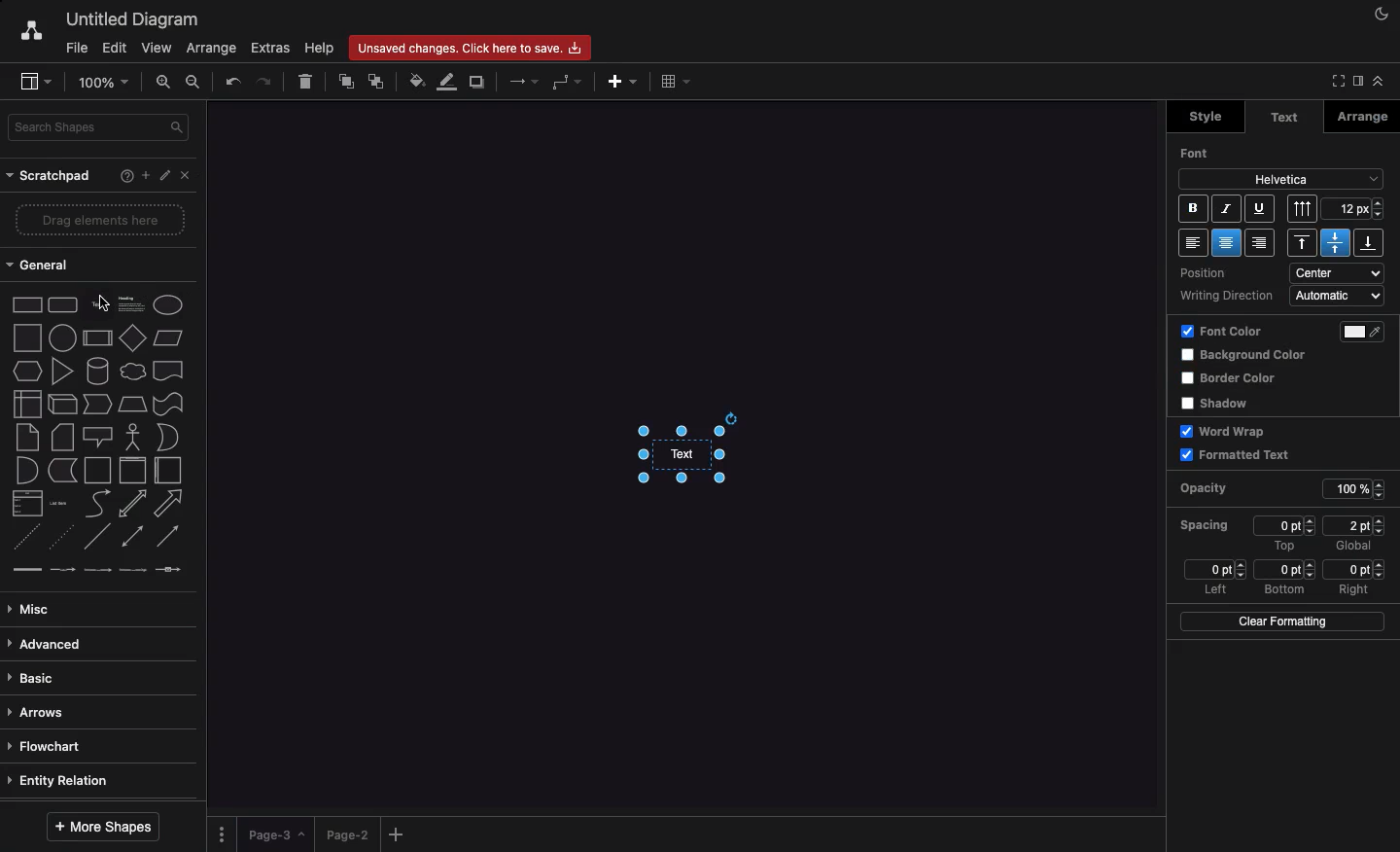  What do you see at coordinates (168, 537) in the screenshot?
I see `directional connector` at bounding box center [168, 537].